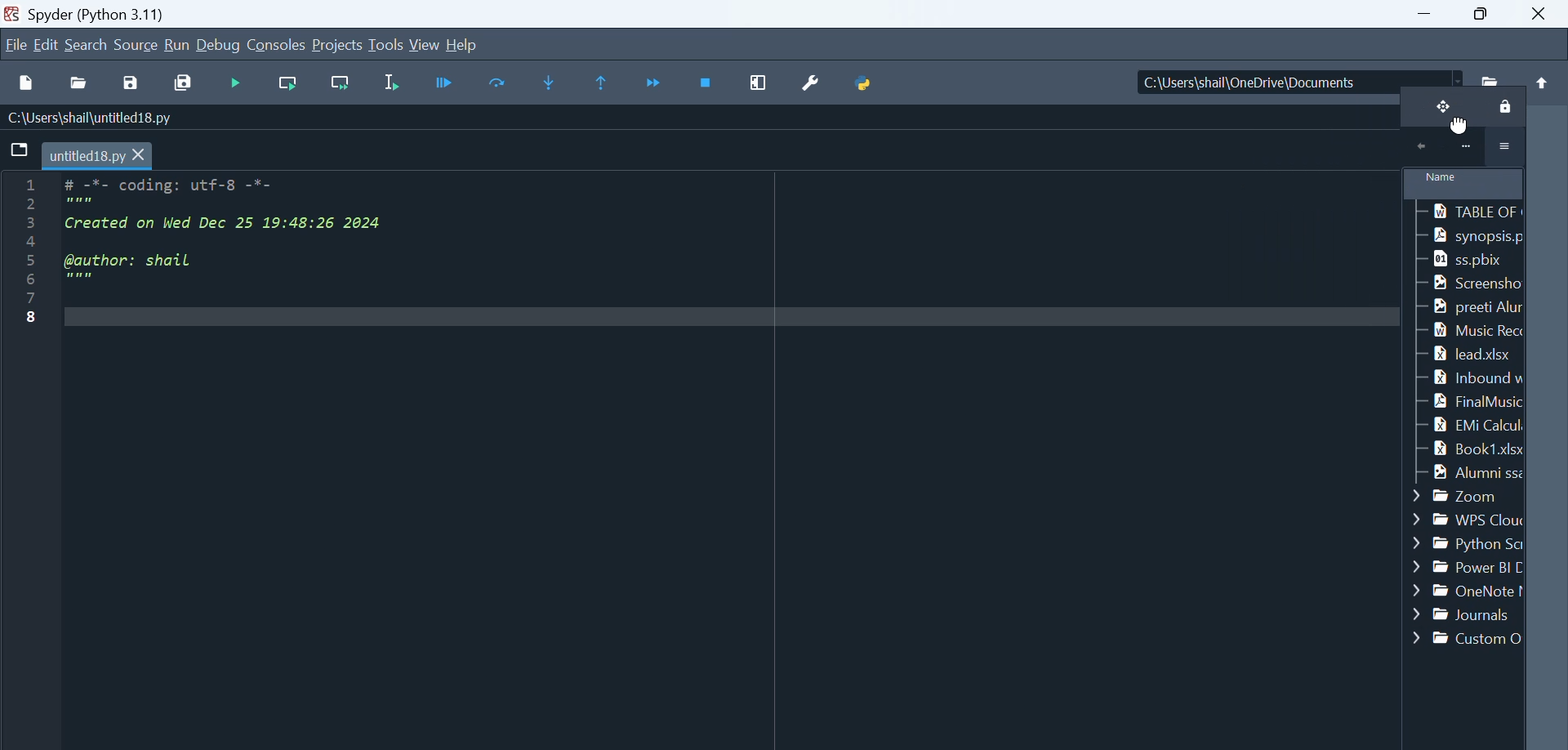 The width and height of the screenshot is (1568, 750). Describe the element at coordinates (82, 82) in the screenshot. I see `Open` at that location.